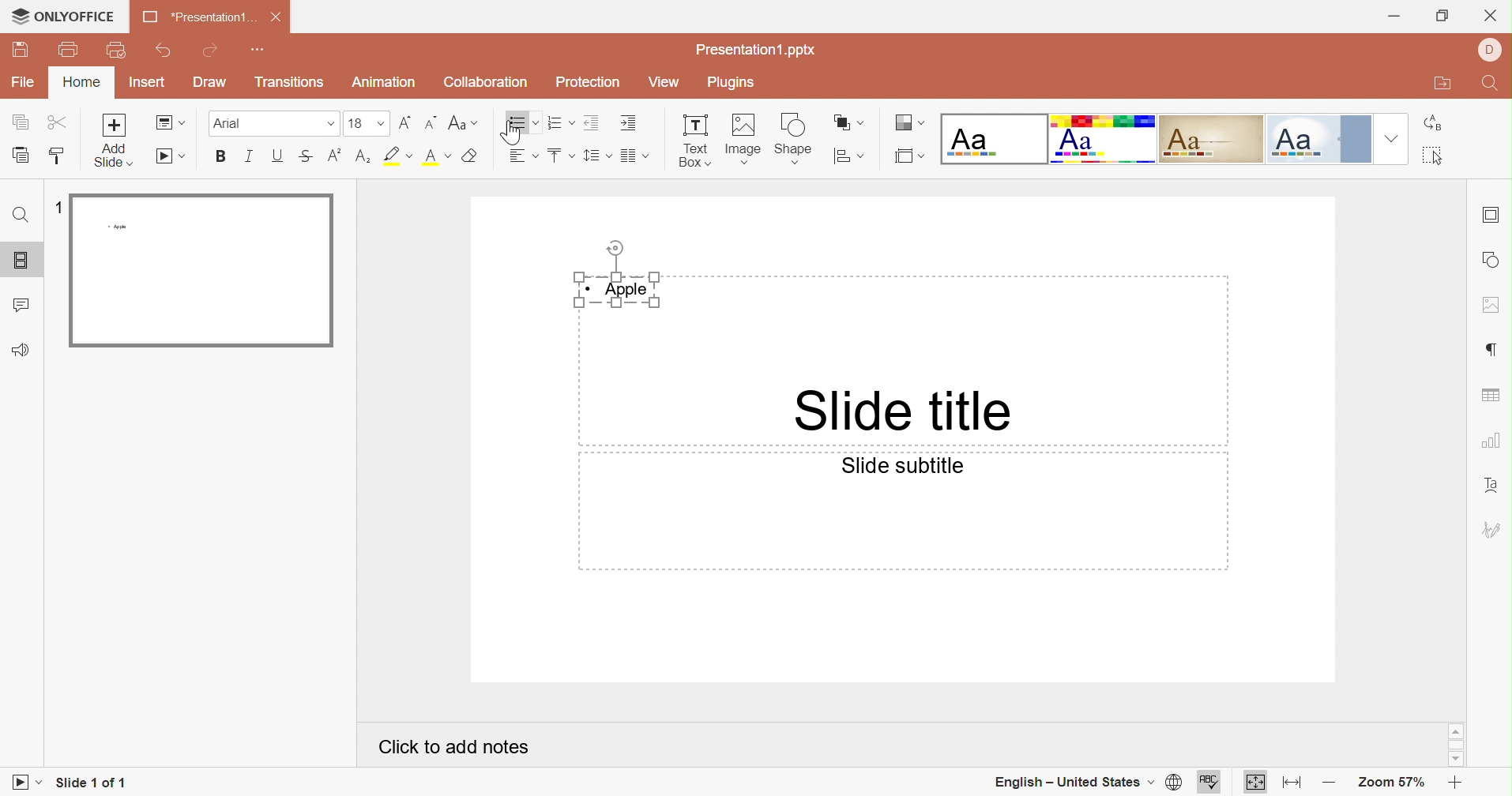 The image size is (1512, 796). Describe the element at coordinates (1455, 783) in the screenshot. I see `Zoom in` at that location.